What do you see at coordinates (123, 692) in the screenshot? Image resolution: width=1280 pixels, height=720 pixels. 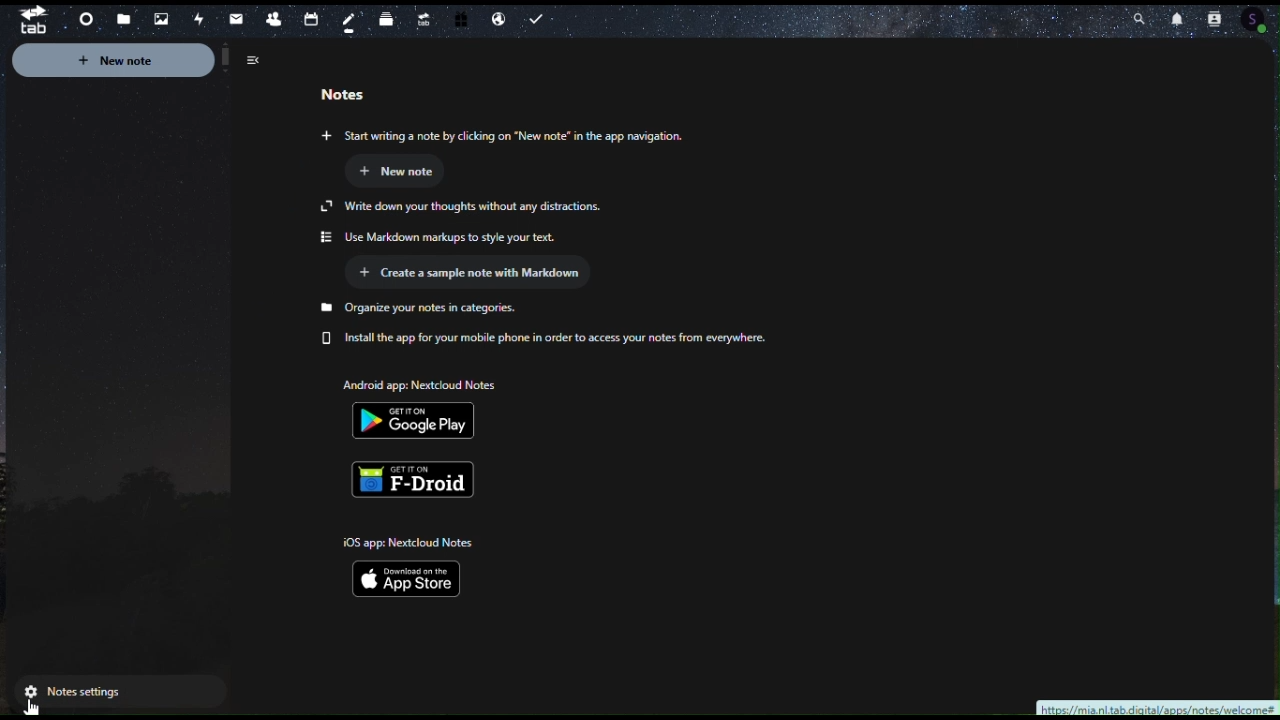 I see `Notes settings ` at bounding box center [123, 692].